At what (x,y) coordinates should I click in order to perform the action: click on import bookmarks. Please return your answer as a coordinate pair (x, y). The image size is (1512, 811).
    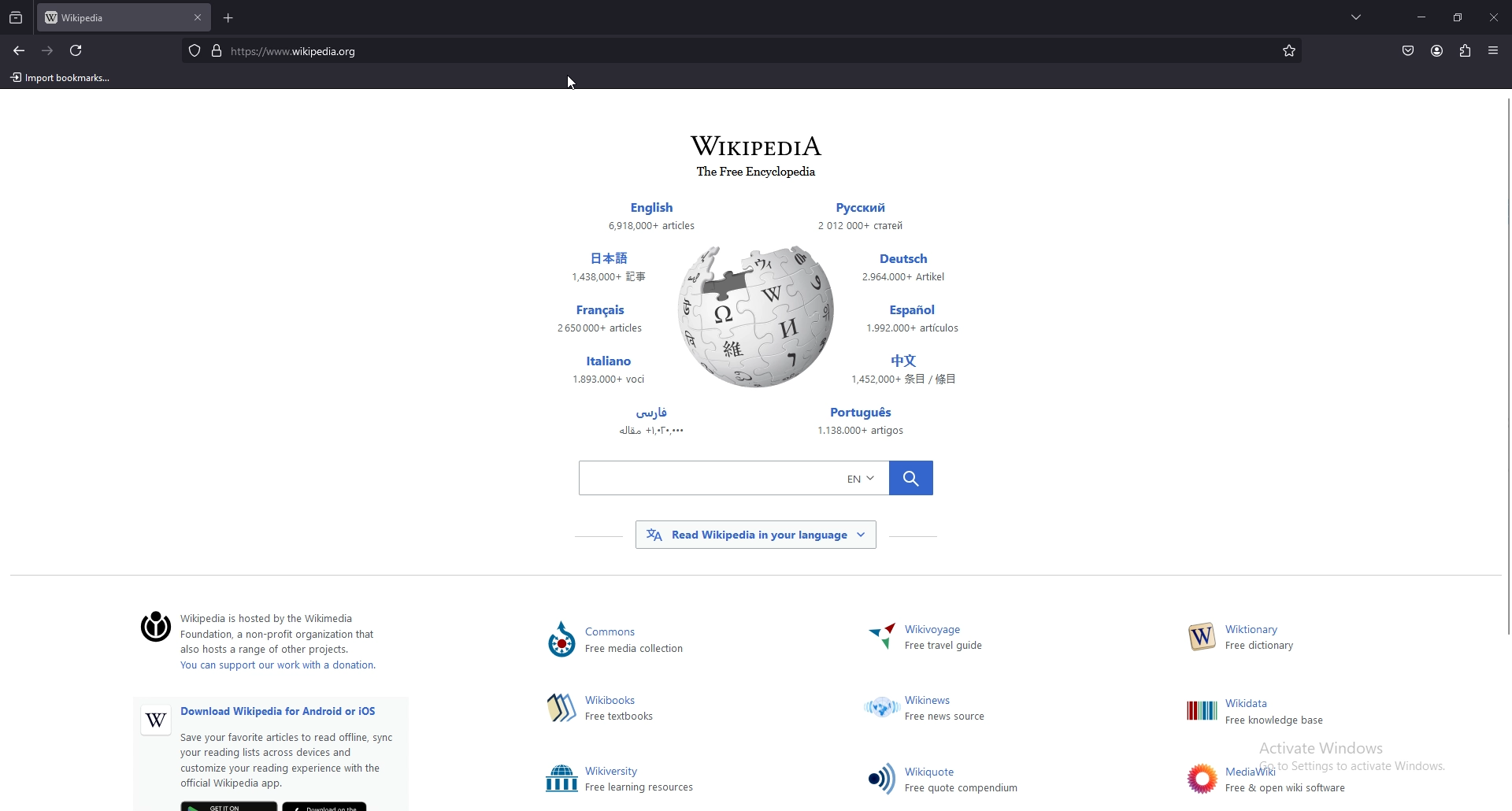
    Looking at the image, I should click on (62, 78).